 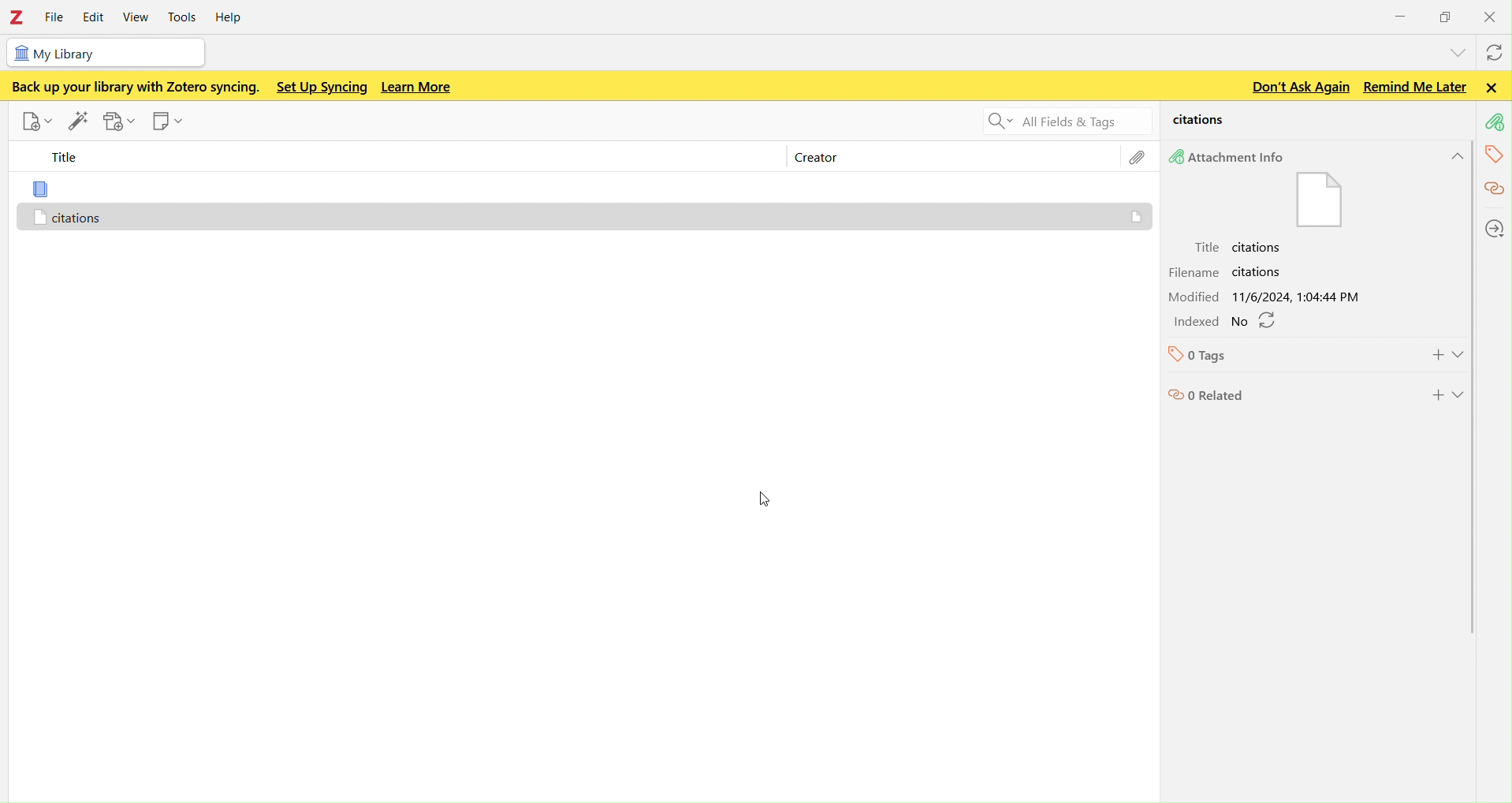 What do you see at coordinates (55, 17) in the screenshot?
I see `file` at bounding box center [55, 17].